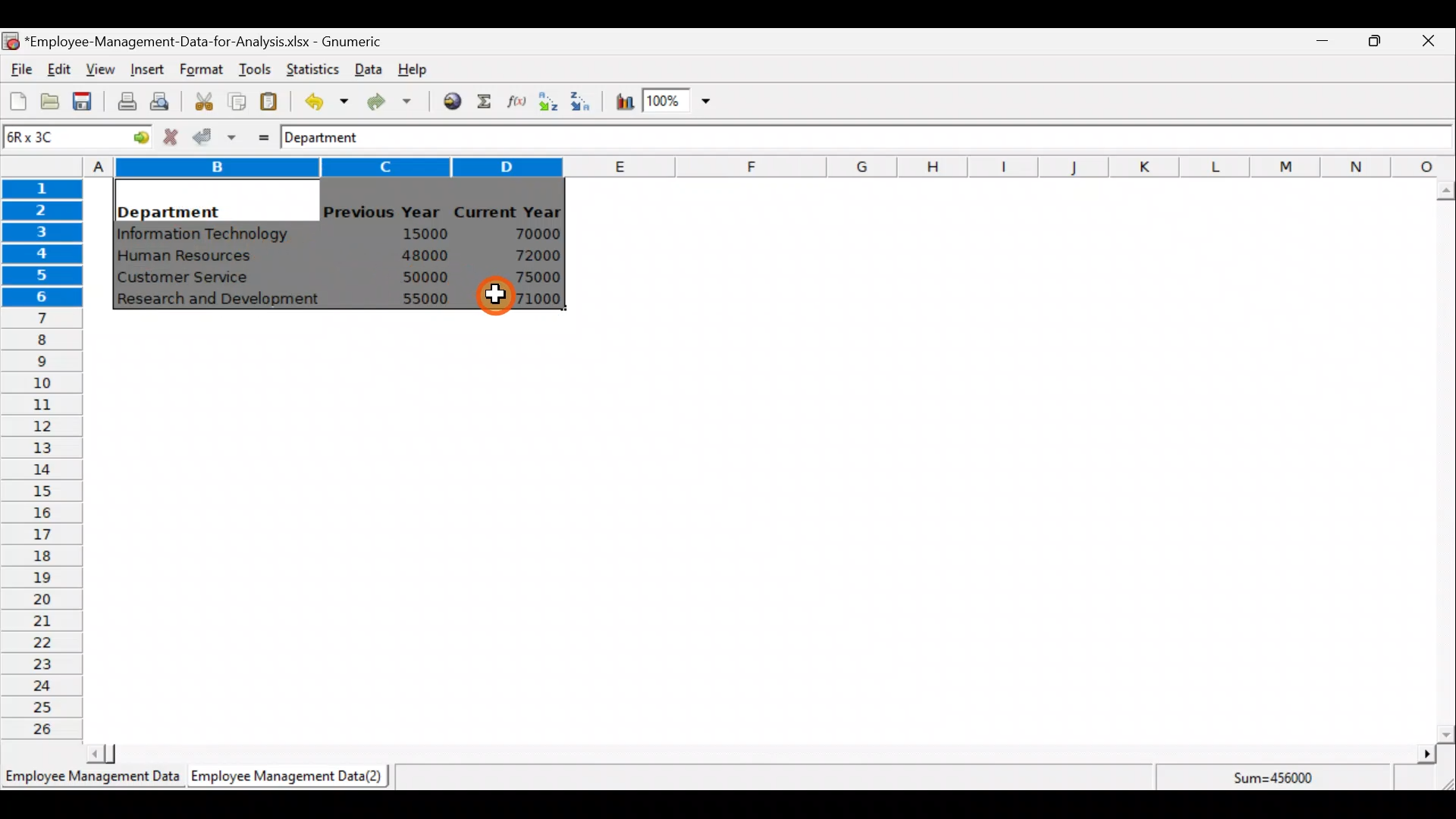  Describe the element at coordinates (369, 69) in the screenshot. I see `Data` at that location.